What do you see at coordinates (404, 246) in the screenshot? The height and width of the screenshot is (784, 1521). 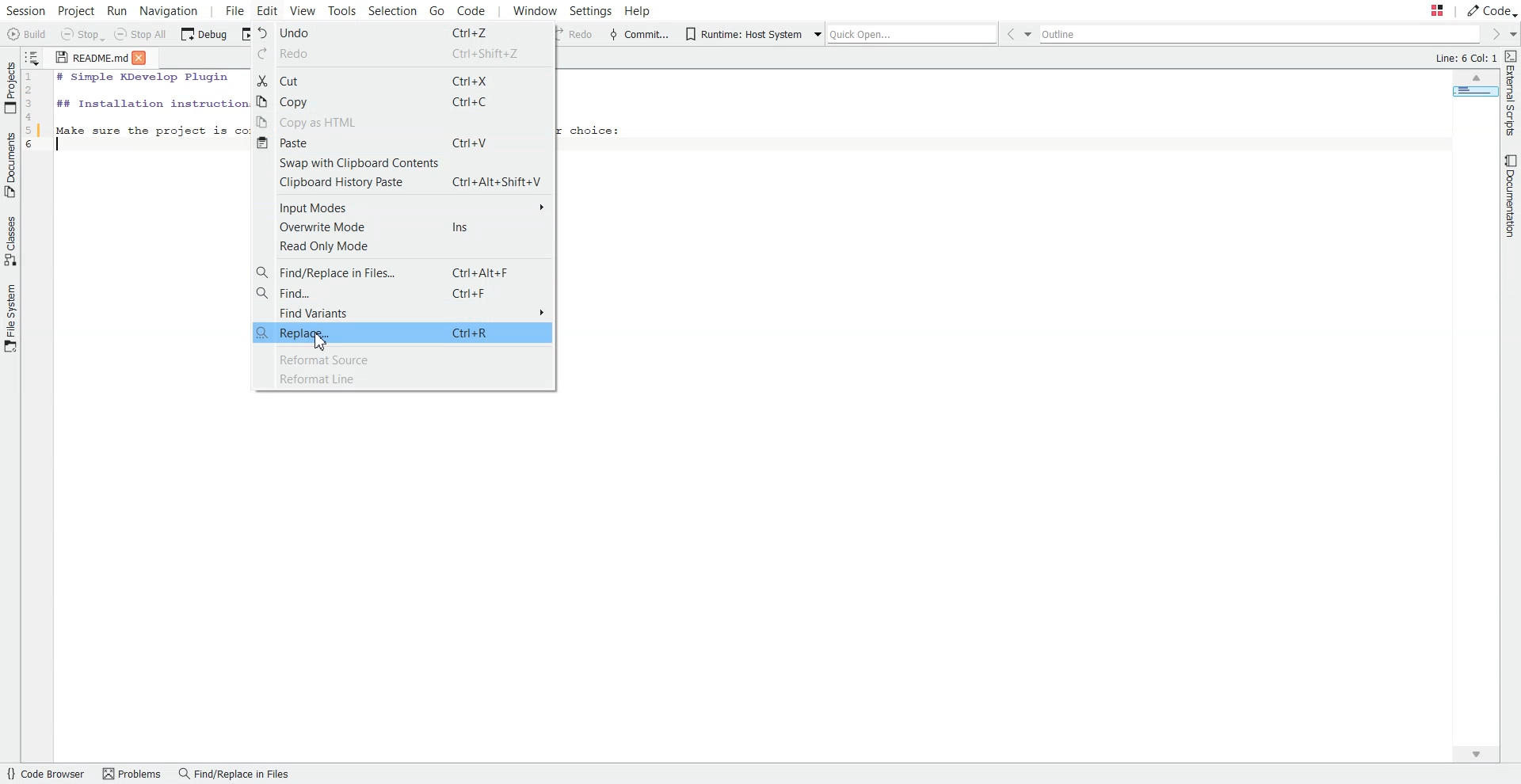 I see `Read Only Mode` at bounding box center [404, 246].